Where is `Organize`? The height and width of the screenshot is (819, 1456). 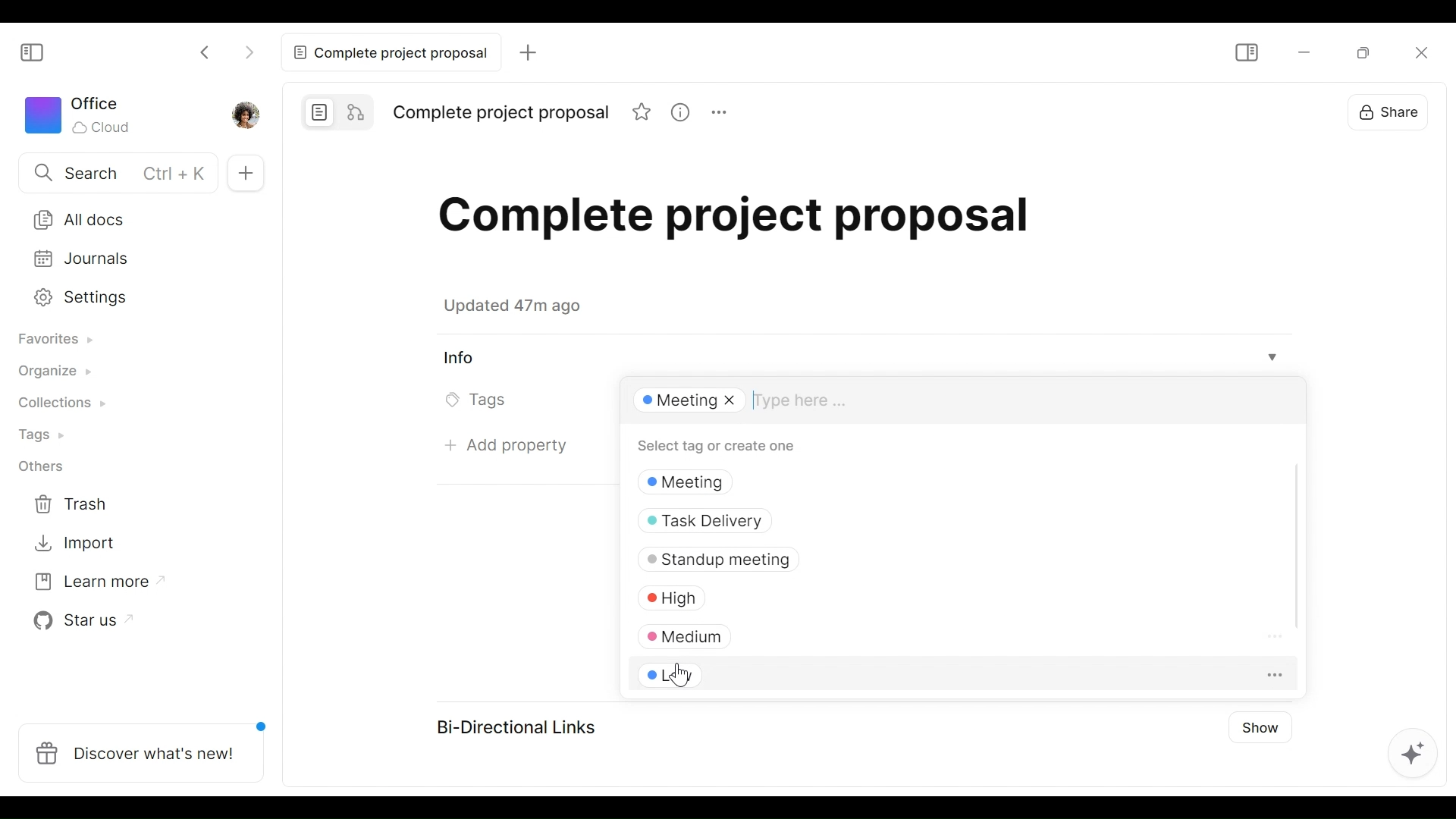 Organize is located at coordinates (58, 374).